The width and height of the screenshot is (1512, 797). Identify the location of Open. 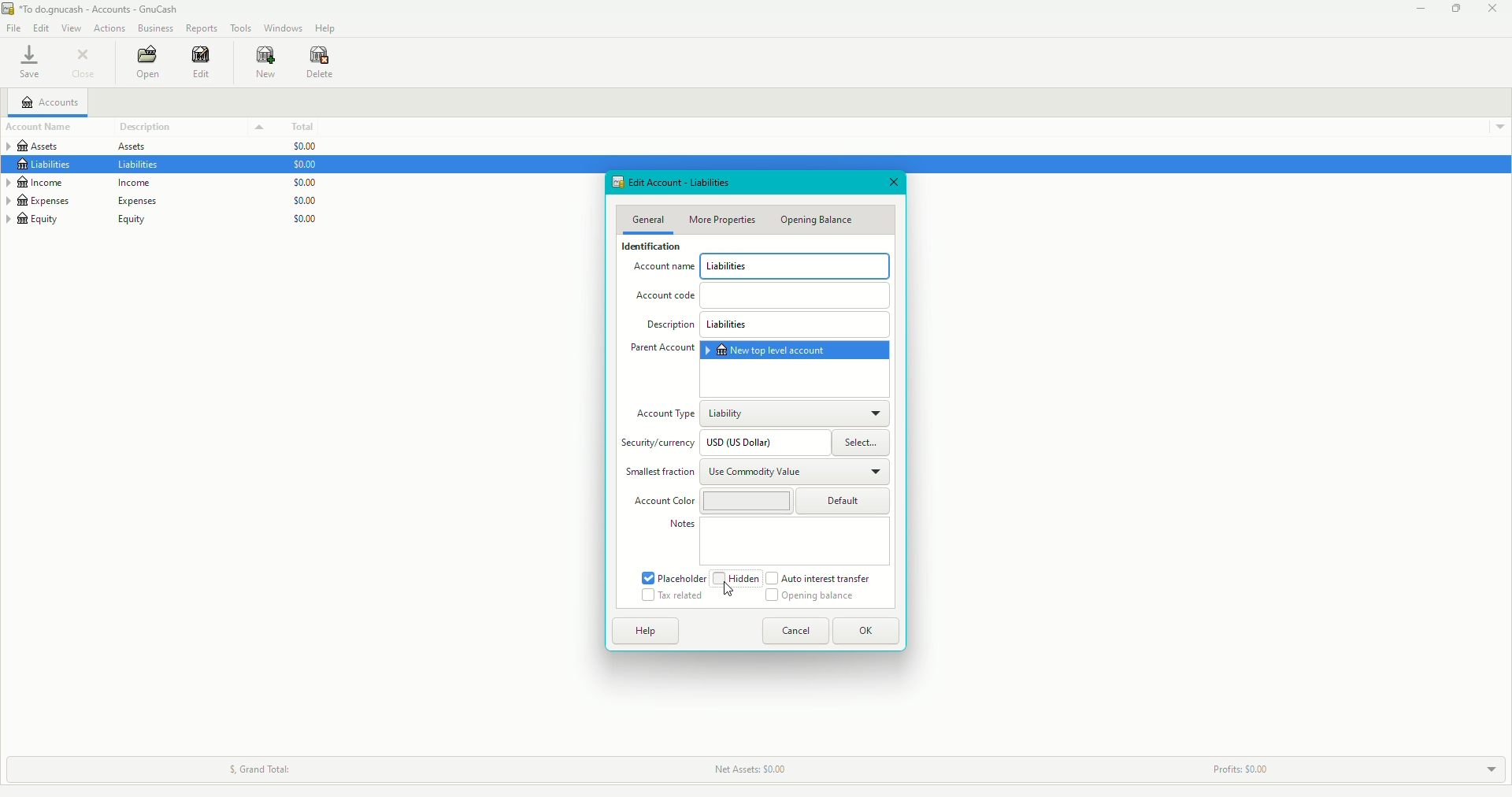
(146, 63).